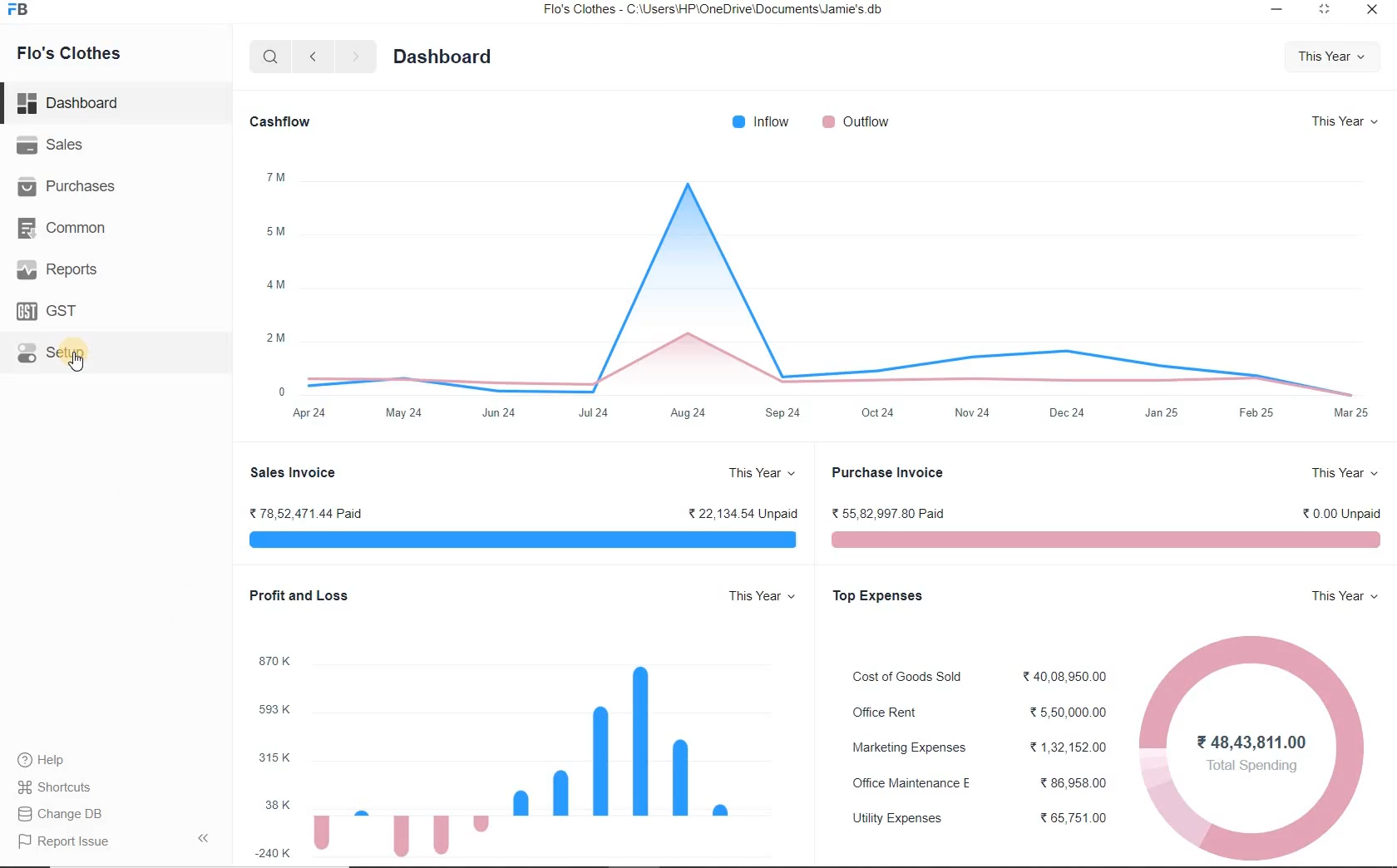 The height and width of the screenshot is (868, 1397). I want to click on This Year , so click(1343, 121).